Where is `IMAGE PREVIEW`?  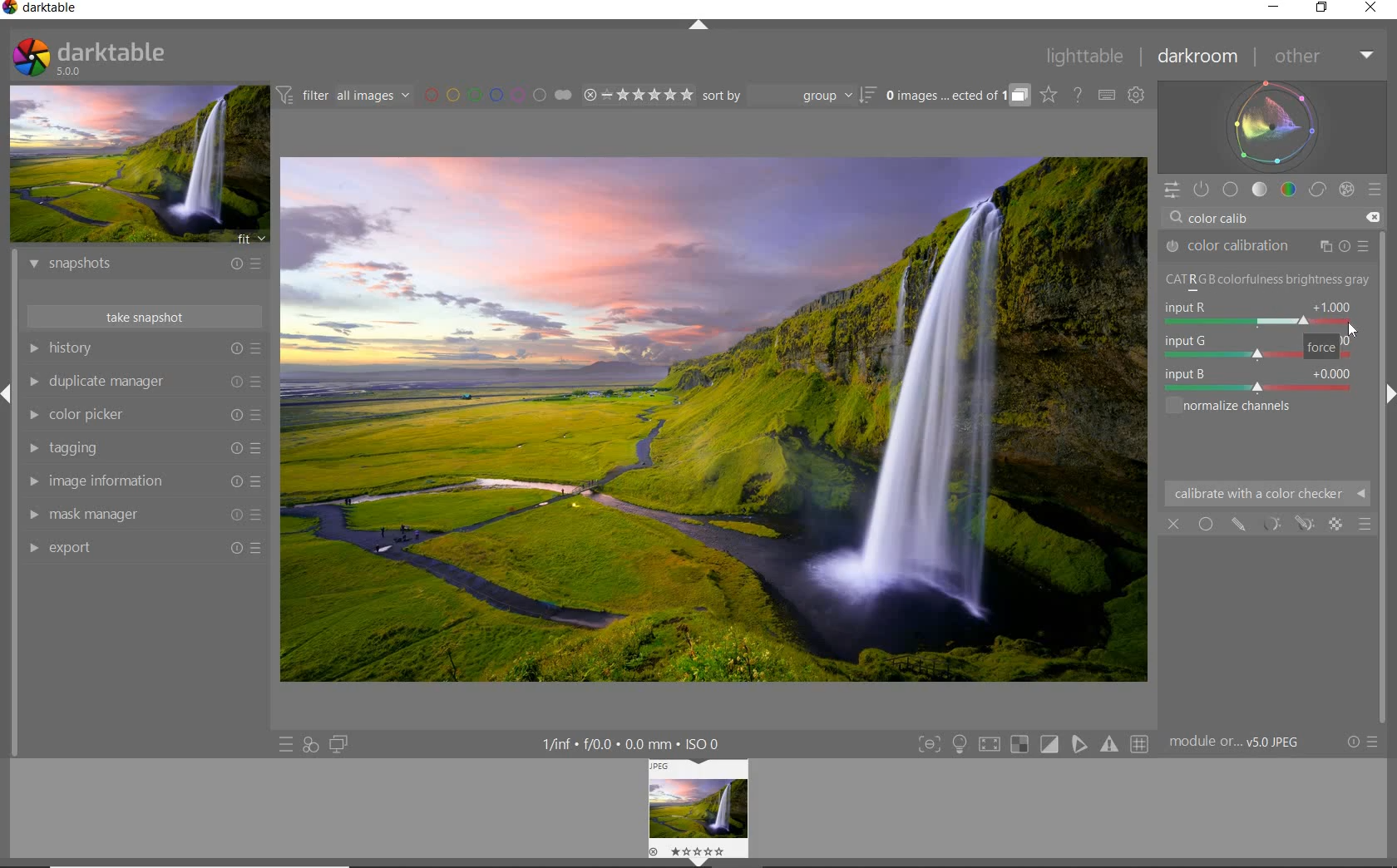
IMAGE PREVIEW is located at coordinates (137, 165).